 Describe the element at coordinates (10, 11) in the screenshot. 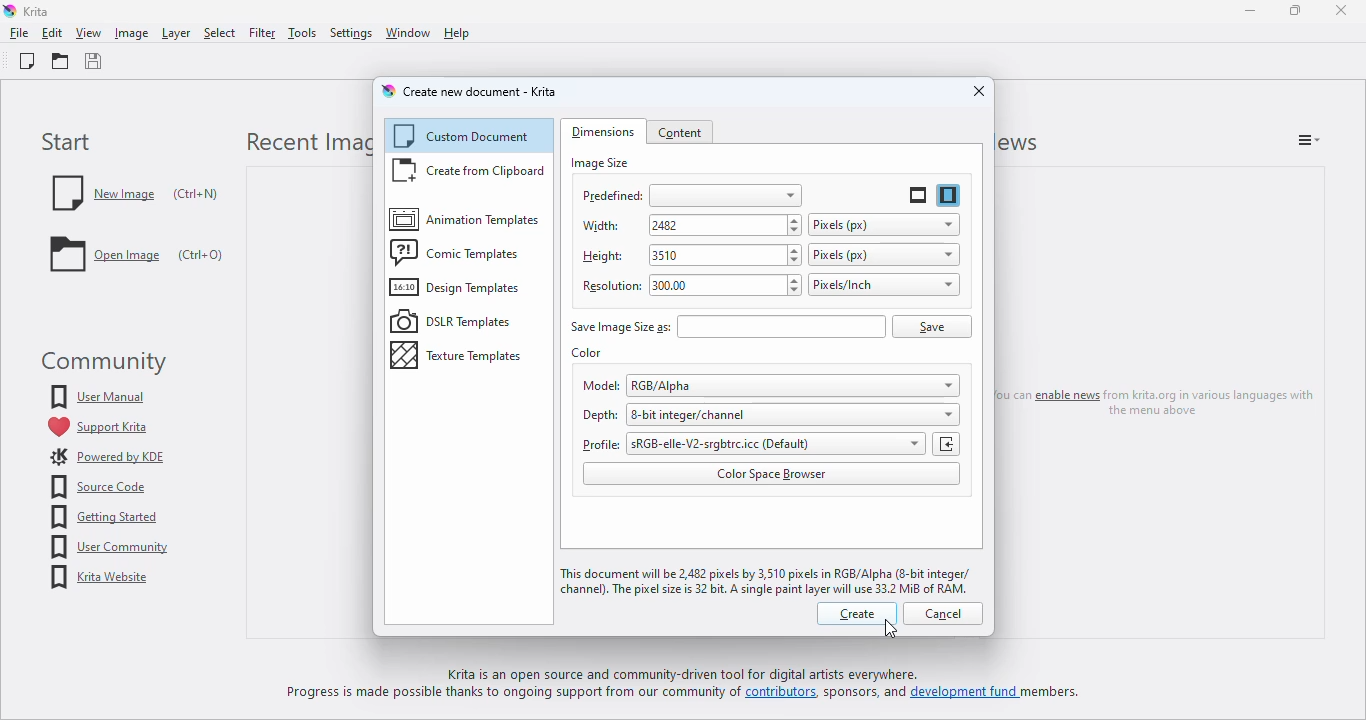

I see `Krita logo` at that location.